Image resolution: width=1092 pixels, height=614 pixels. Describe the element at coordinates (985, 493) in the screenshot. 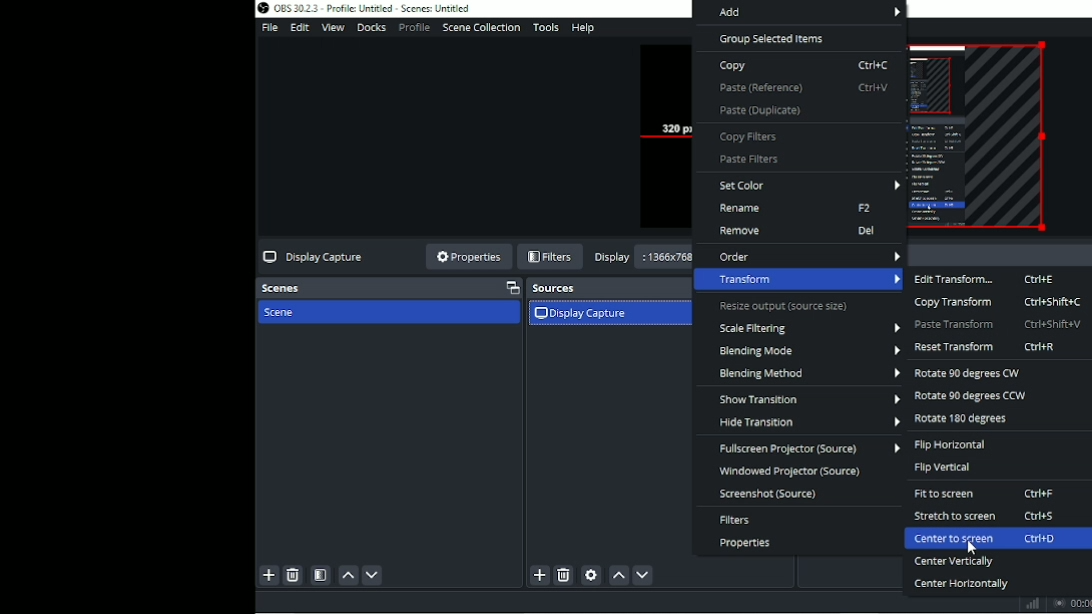

I see `Fit to screen` at that location.